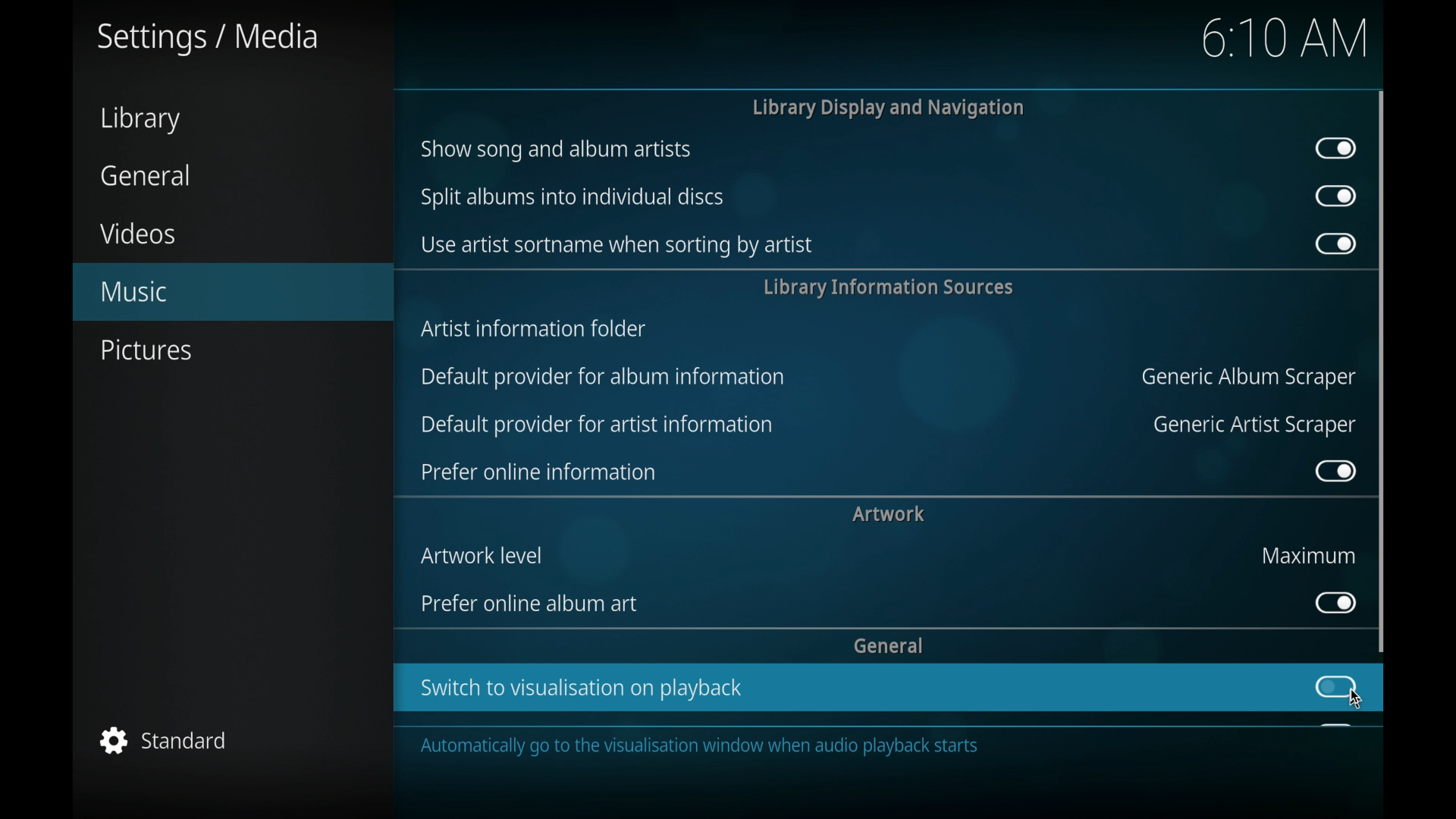  What do you see at coordinates (889, 513) in the screenshot?
I see `artwork` at bounding box center [889, 513].